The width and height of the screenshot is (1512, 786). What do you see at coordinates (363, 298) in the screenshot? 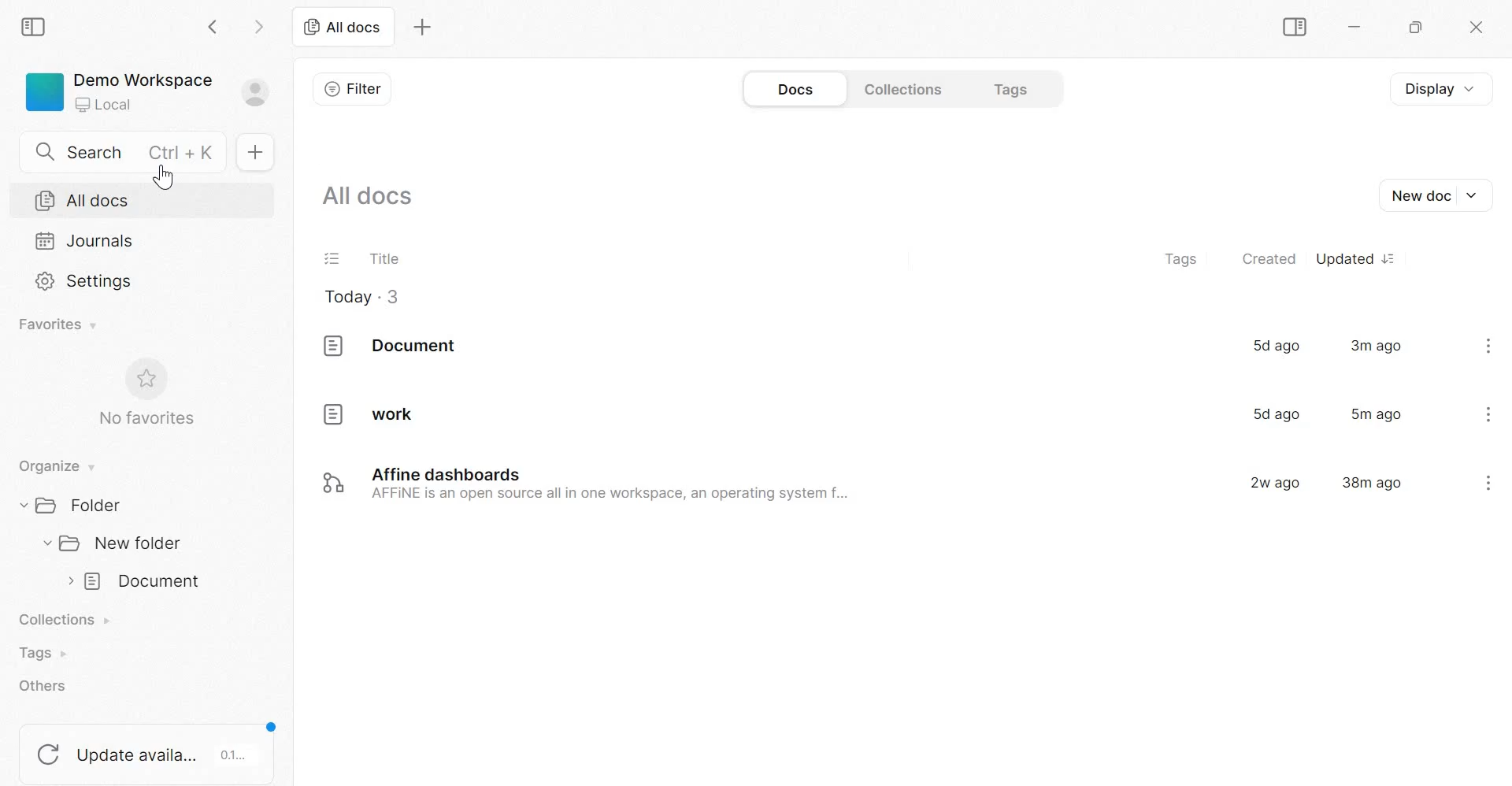
I see `Today . 3` at bounding box center [363, 298].